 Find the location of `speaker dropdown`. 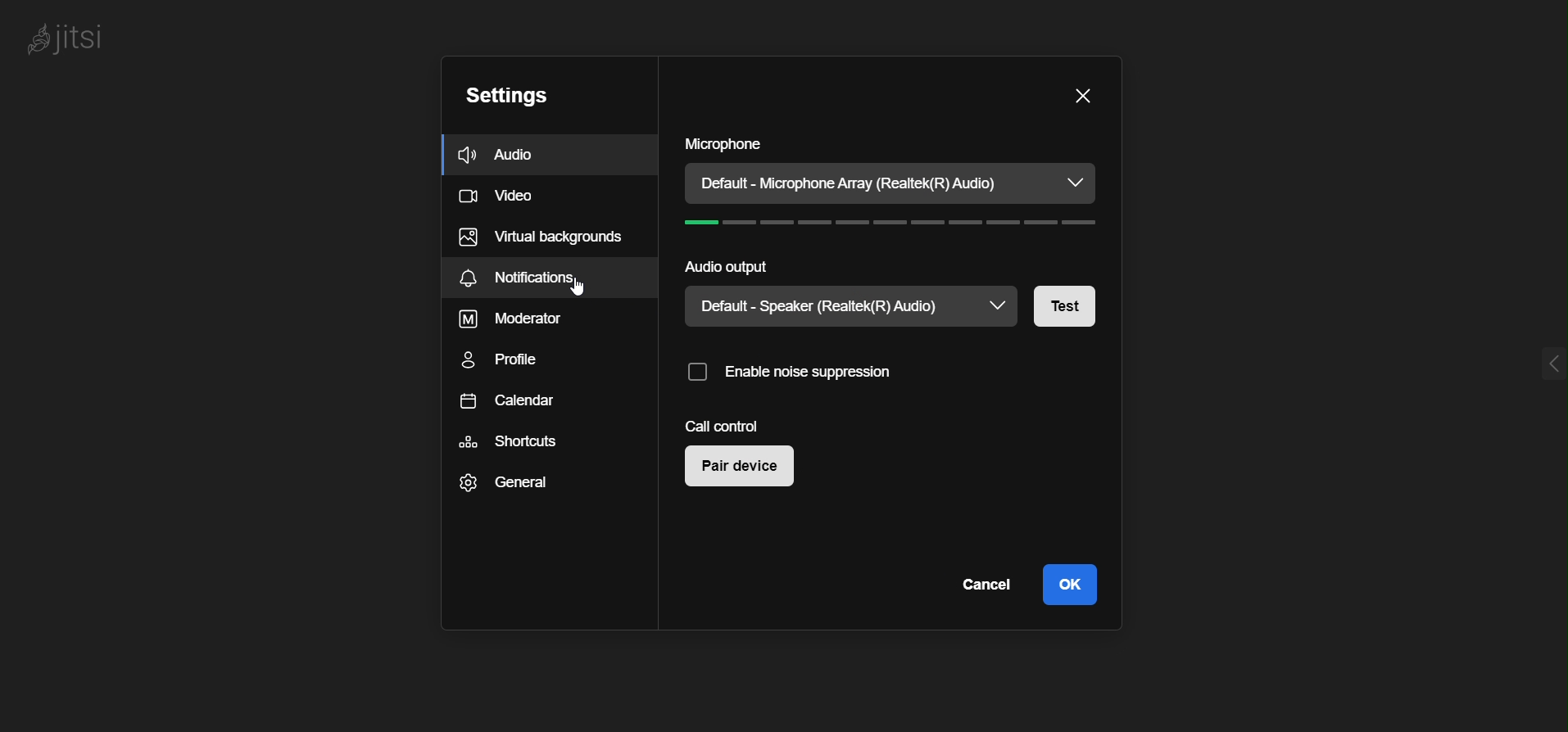

speaker dropdown is located at coordinates (995, 306).